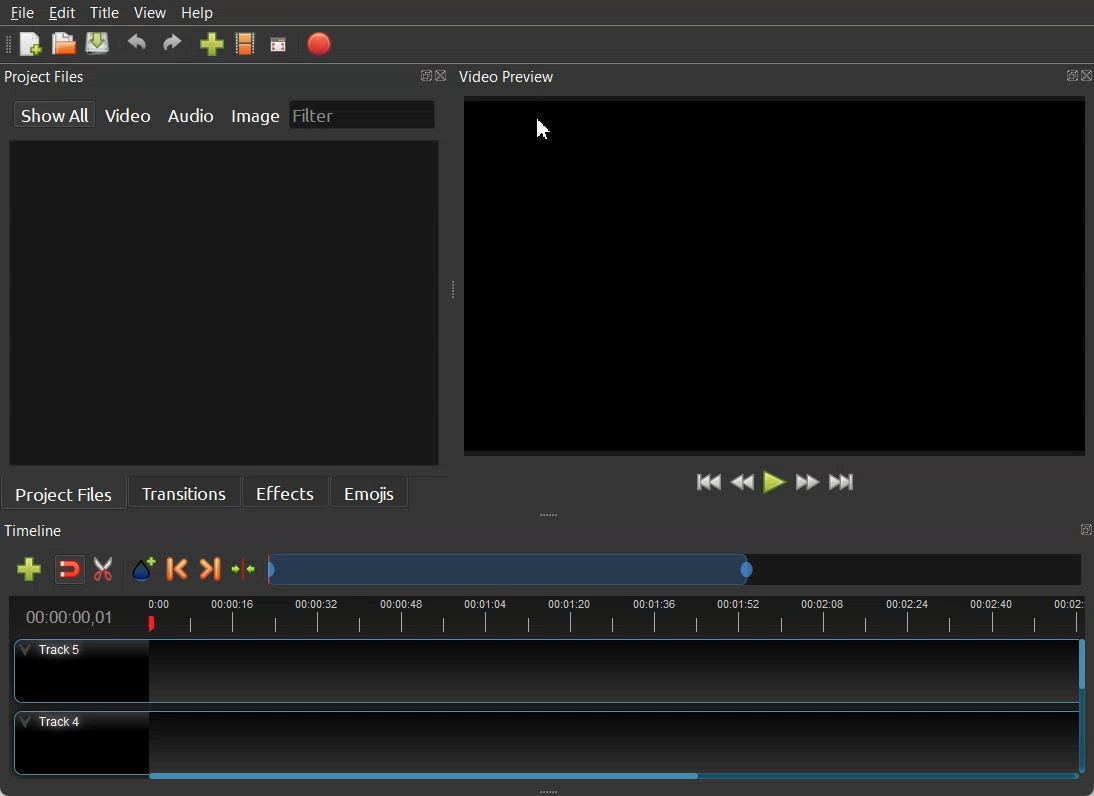  What do you see at coordinates (278, 43) in the screenshot?
I see `Fullscreen` at bounding box center [278, 43].